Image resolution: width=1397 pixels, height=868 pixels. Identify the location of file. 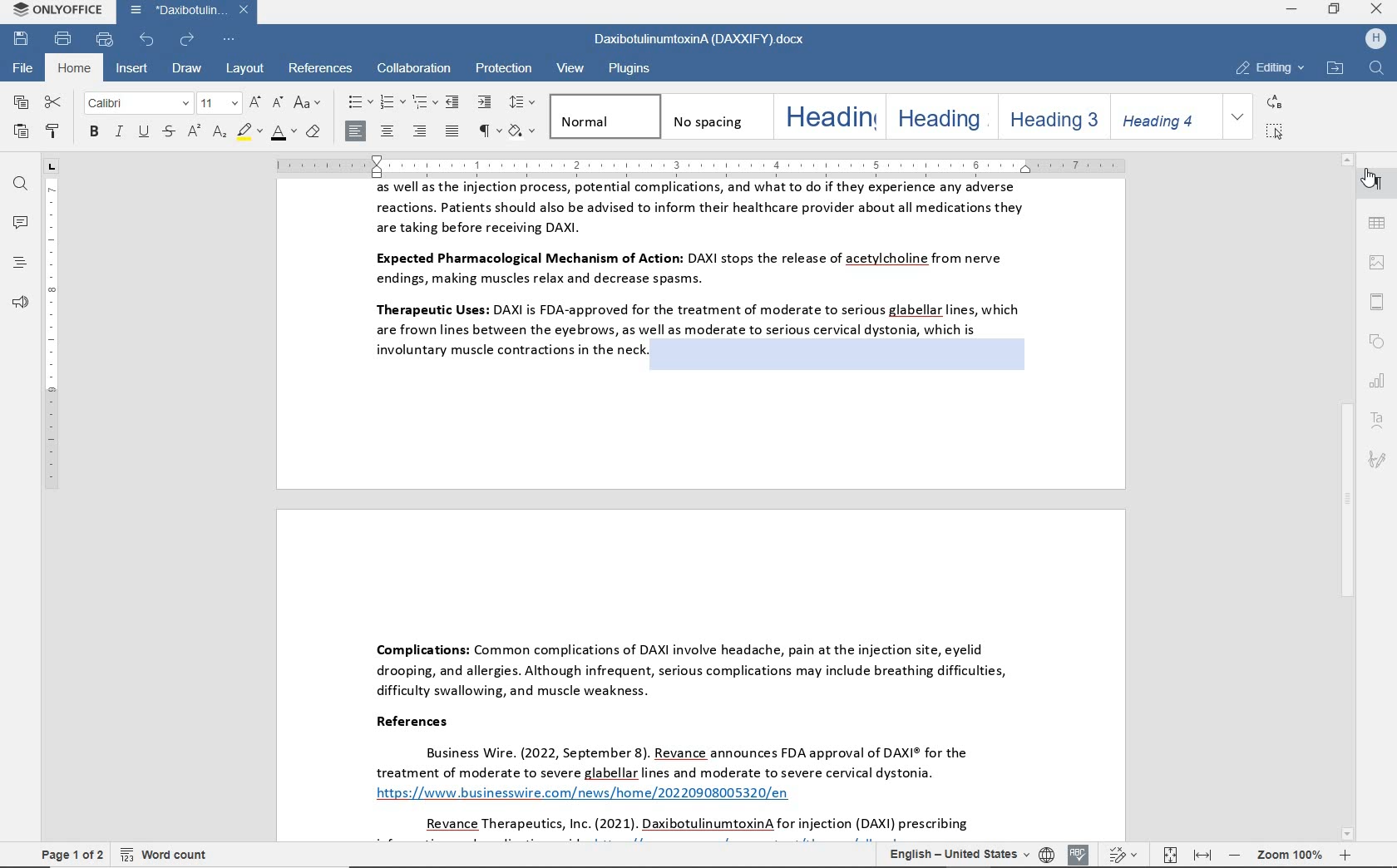
(24, 68).